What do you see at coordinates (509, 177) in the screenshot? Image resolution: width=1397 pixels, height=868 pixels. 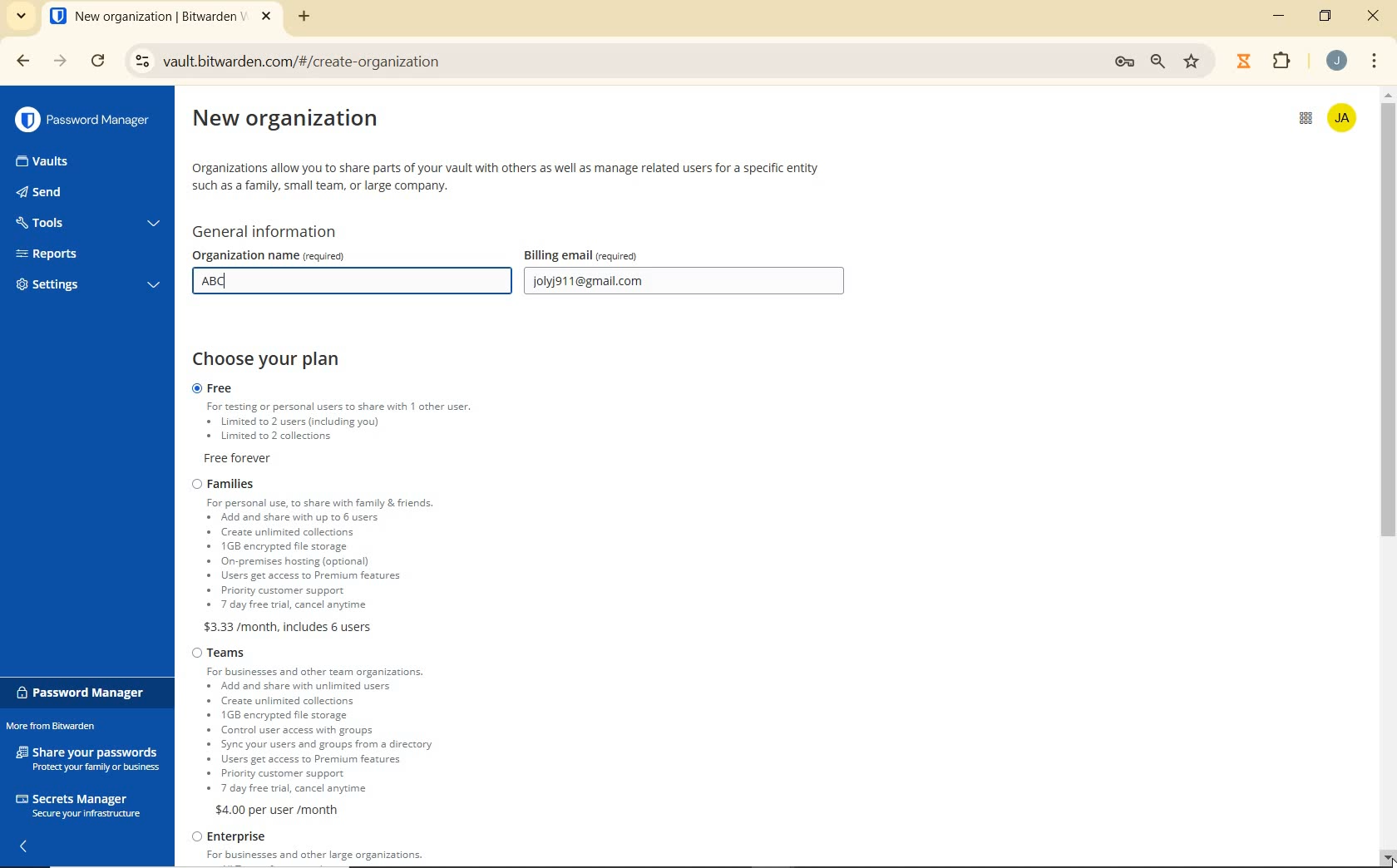 I see `more info about organization` at bounding box center [509, 177].